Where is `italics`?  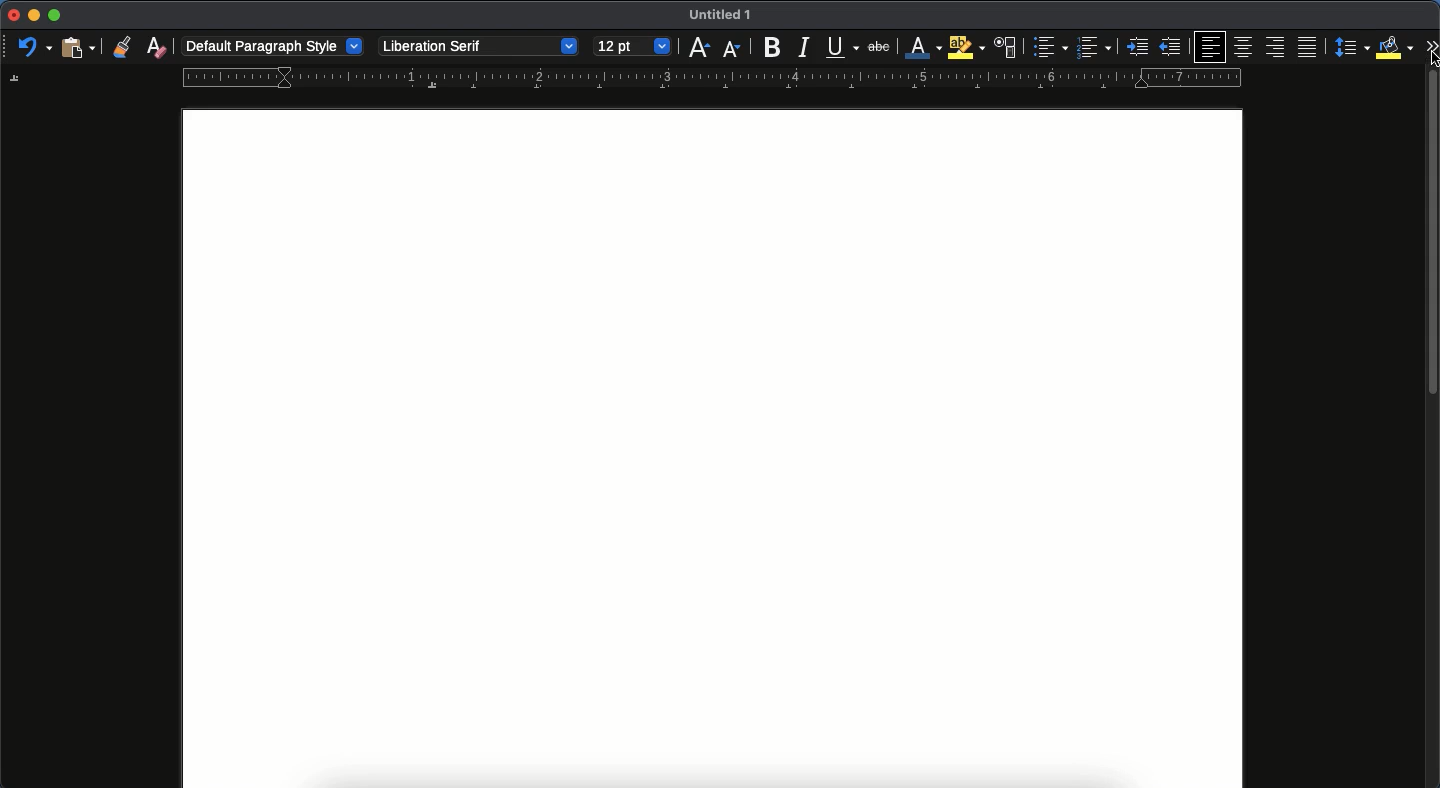 italics is located at coordinates (803, 46).